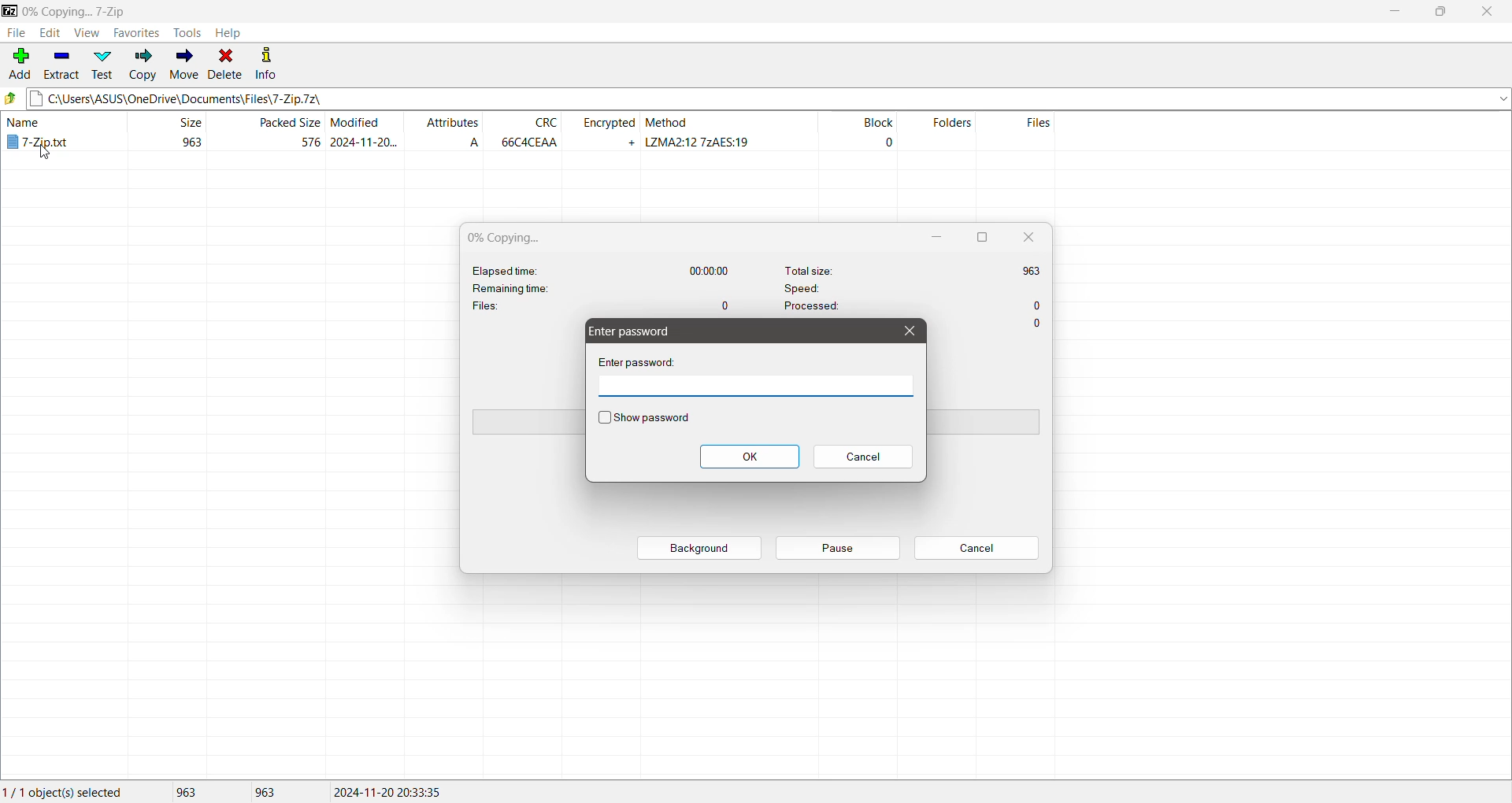 This screenshot has width=1512, height=803. What do you see at coordinates (606, 131) in the screenshot?
I see `Encrypted` at bounding box center [606, 131].